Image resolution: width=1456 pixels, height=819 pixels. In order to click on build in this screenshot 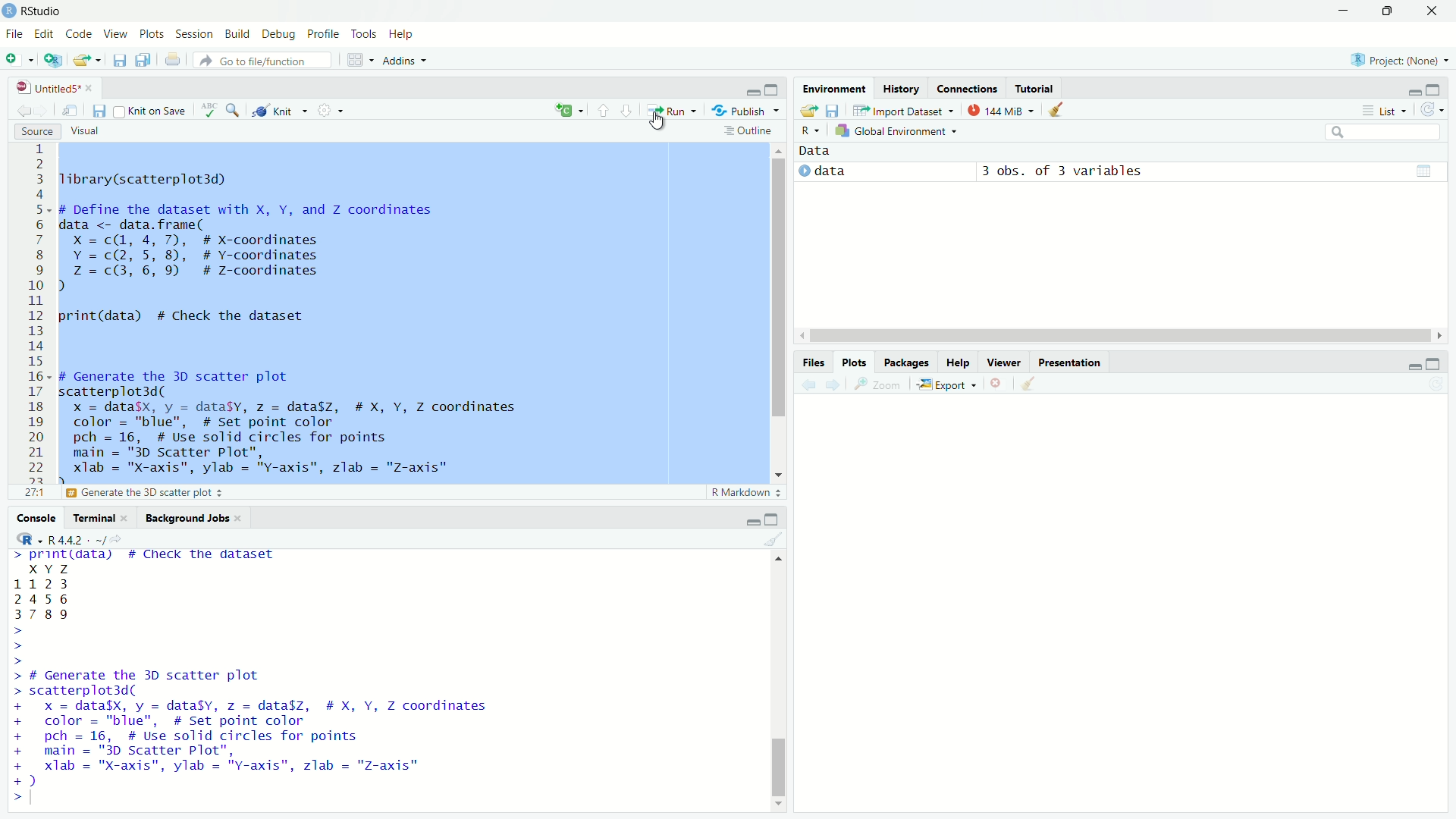, I will do `click(240, 35)`.